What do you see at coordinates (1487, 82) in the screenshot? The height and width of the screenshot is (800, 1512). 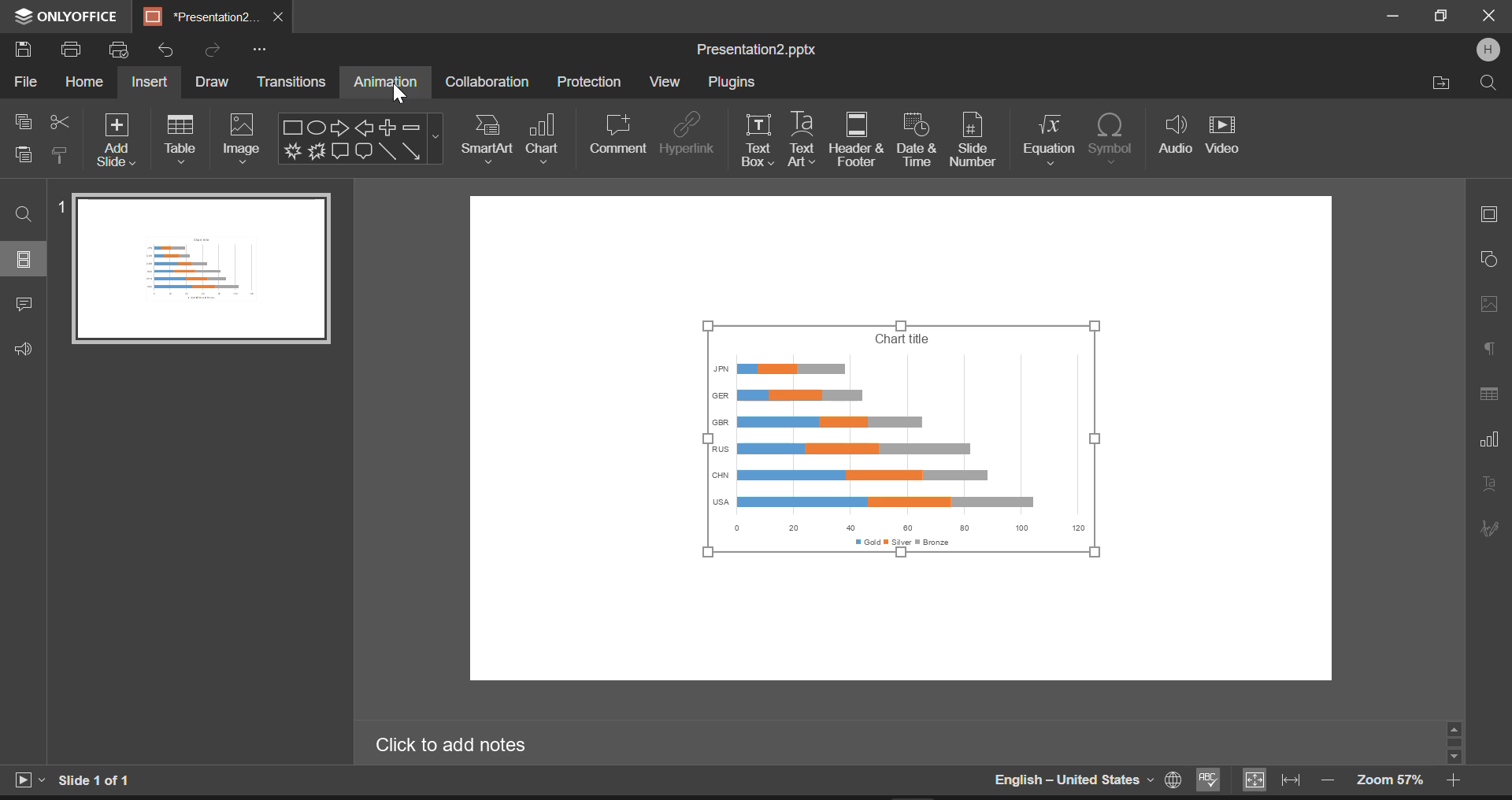 I see `Search` at bounding box center [1487, 82].